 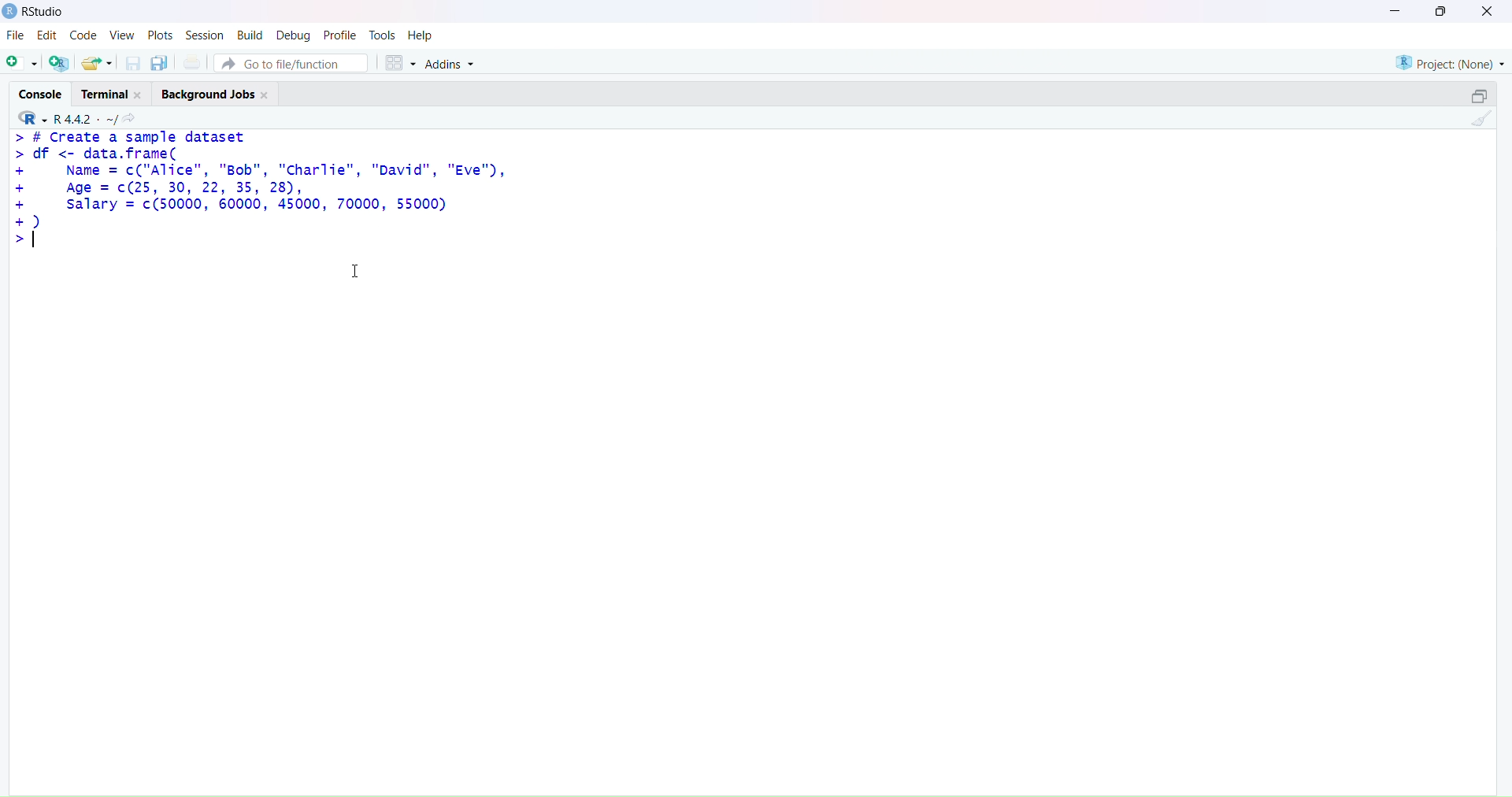 I want to click on print the current file, so click(x=192, y=61).